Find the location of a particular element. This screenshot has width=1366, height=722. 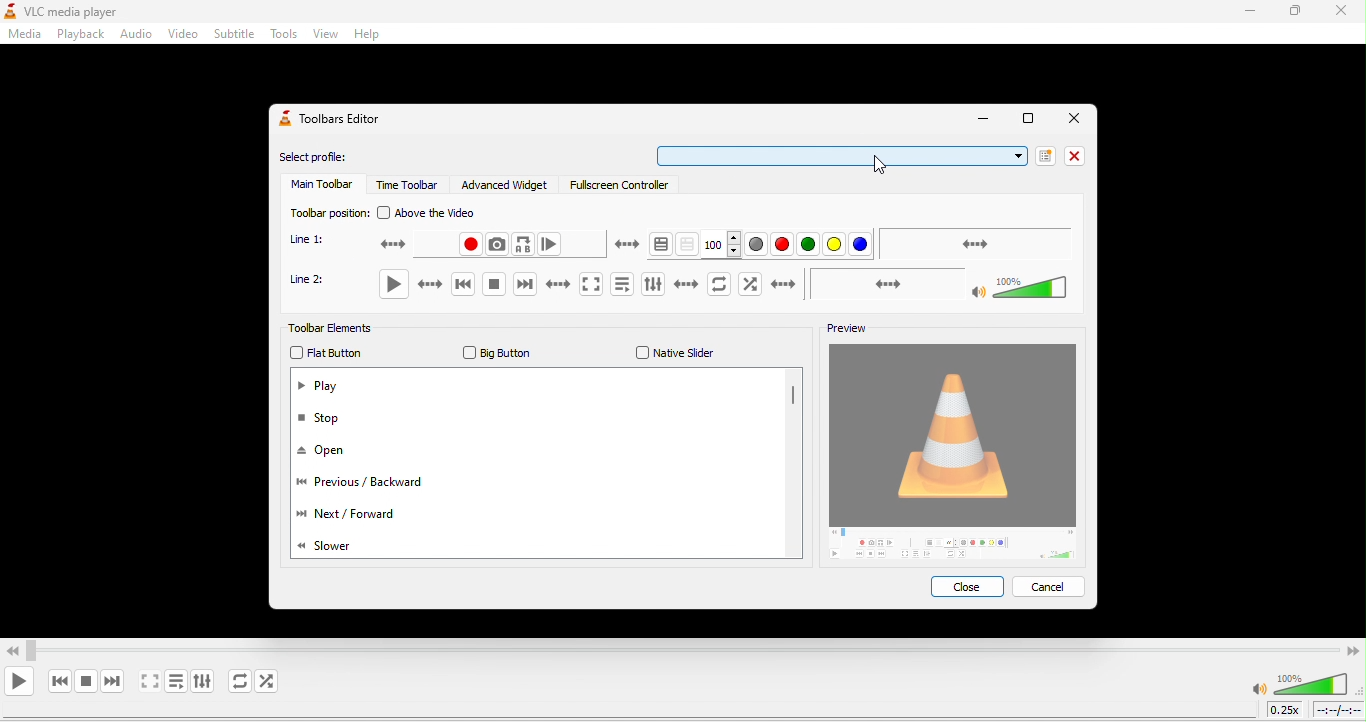

big button is located at coordinates (500, 351).